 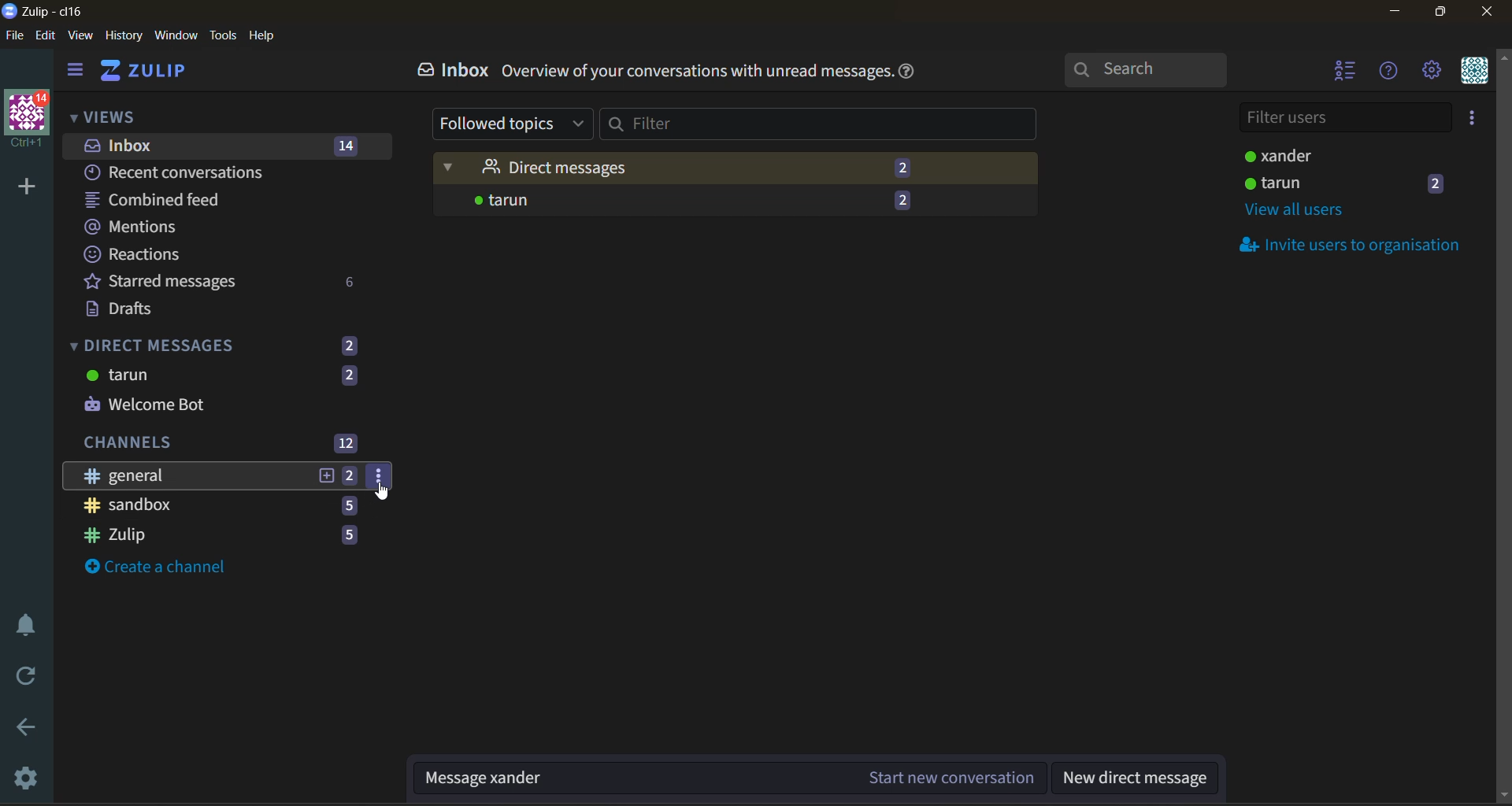 What do you see at coordinates (1136, 779) in the screenshot?
I see `new direct message` at bounding box center [1136, 779].